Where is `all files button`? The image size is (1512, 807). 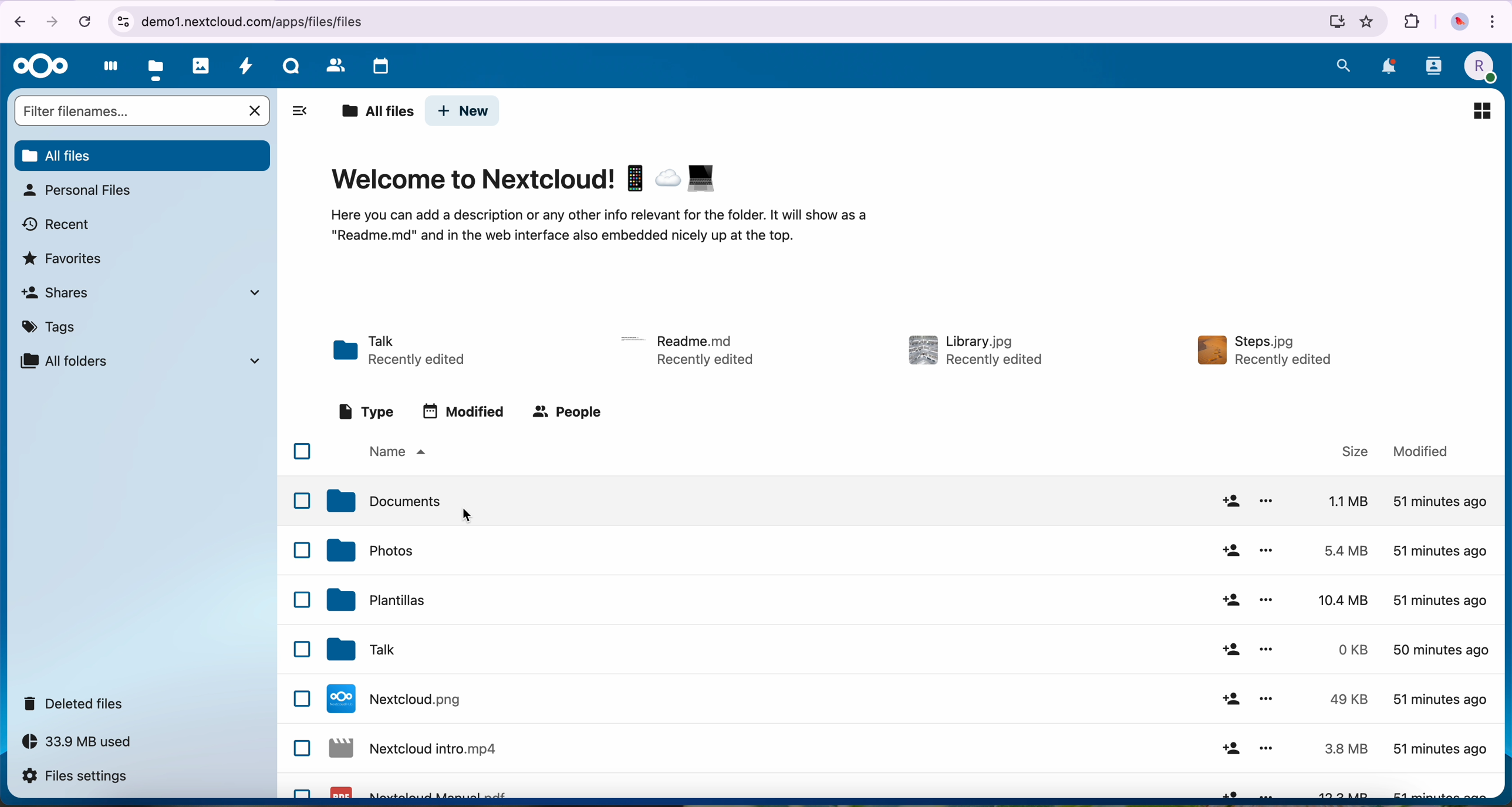
all files button is located at coordinates (141, 154).